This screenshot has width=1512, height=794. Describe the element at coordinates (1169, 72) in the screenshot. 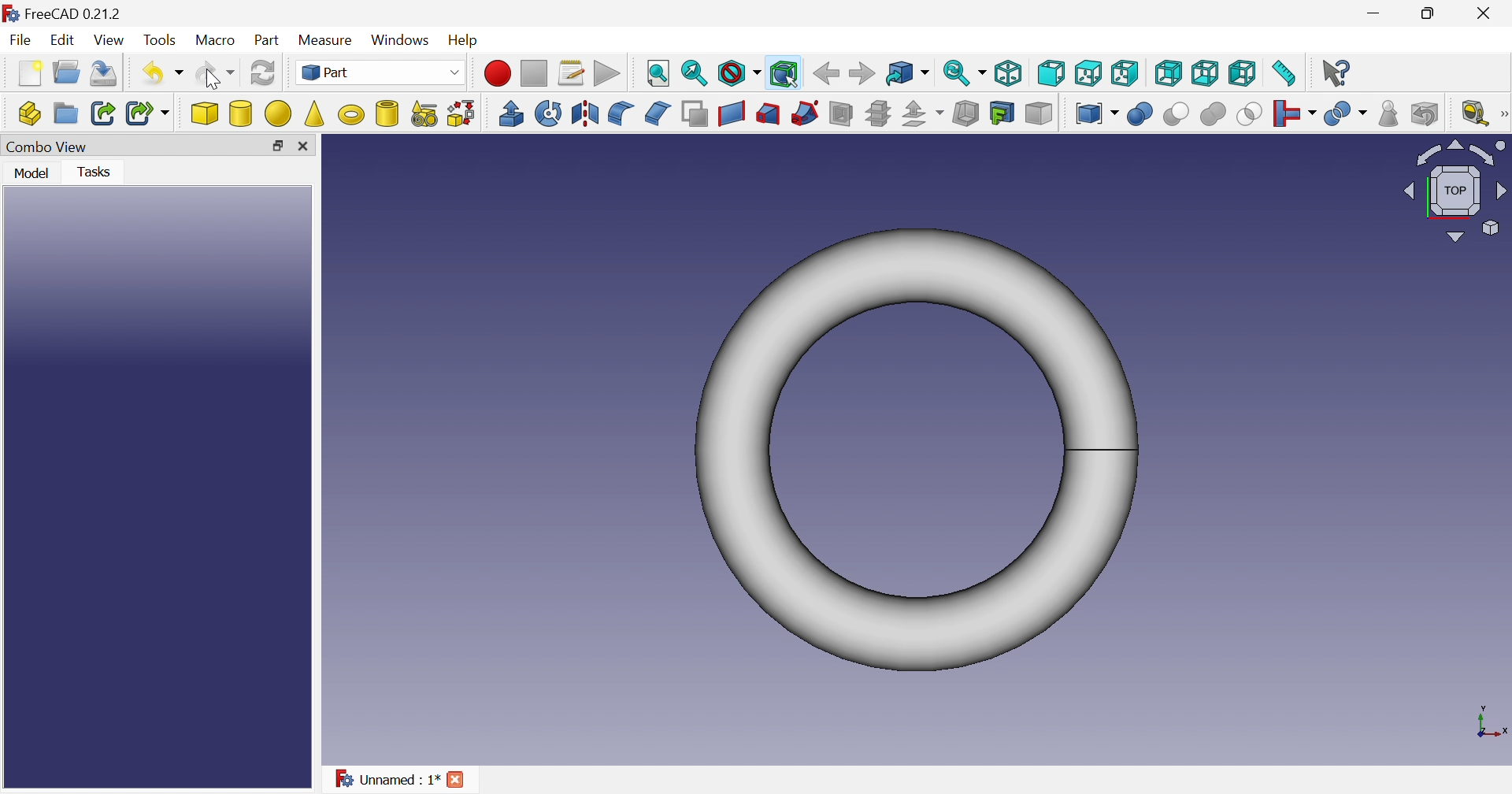

I see `Right` at that location.